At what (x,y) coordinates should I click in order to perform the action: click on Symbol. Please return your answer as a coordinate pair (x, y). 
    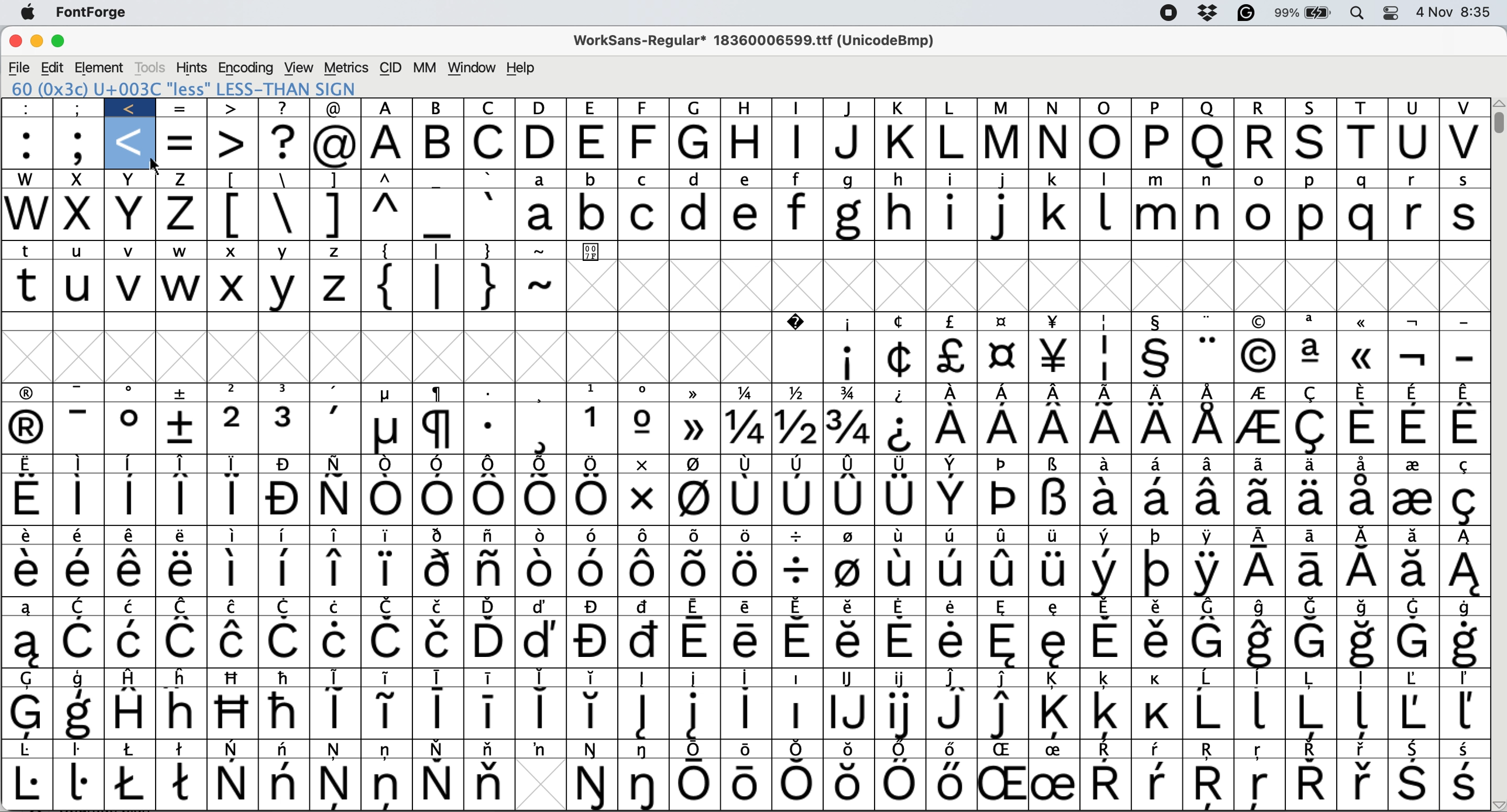
    Looking at the image, I should click on (1260, 787).